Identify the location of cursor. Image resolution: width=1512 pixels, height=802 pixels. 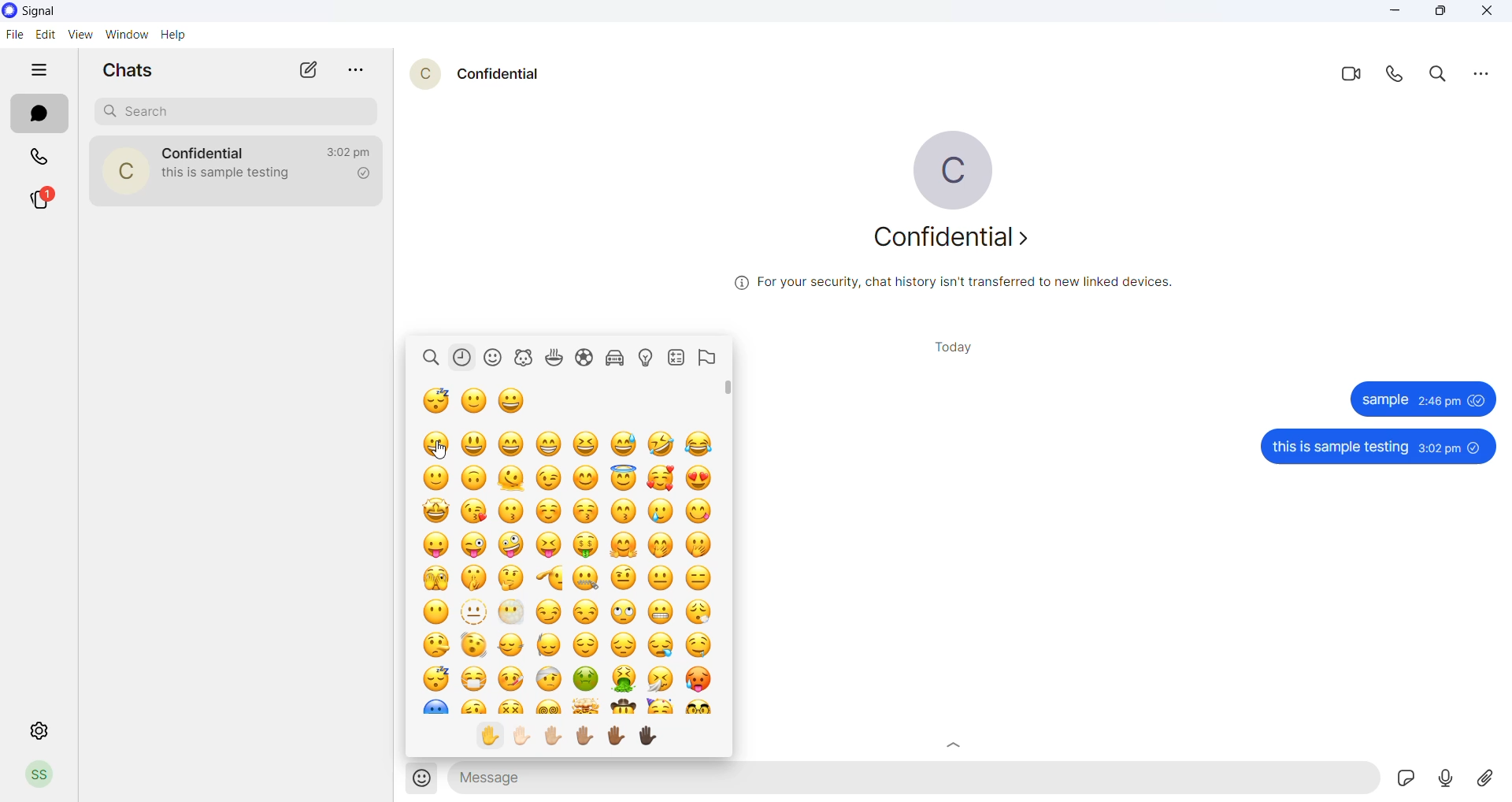
(439, 450).